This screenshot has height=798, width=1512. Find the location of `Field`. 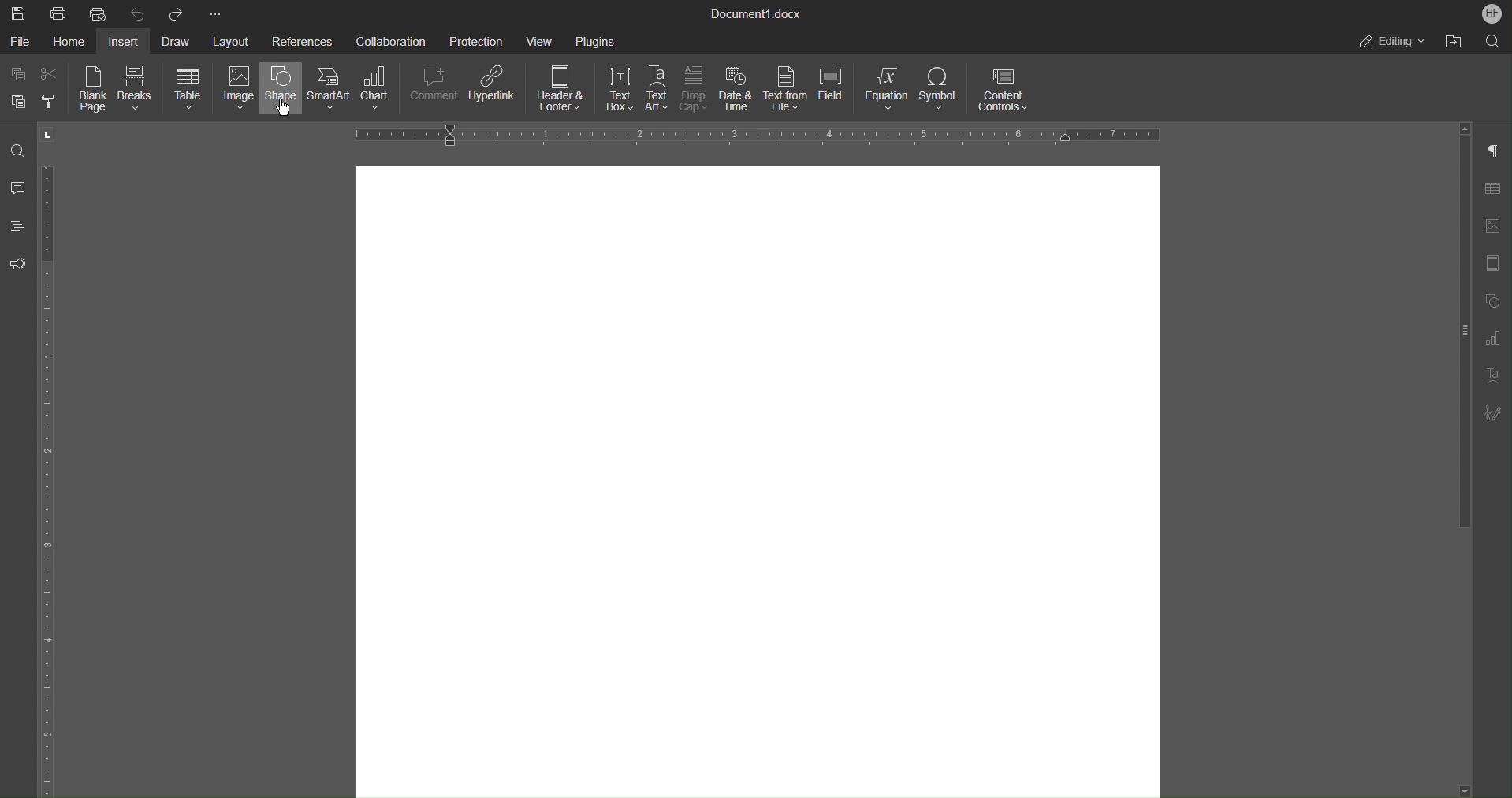

Field is located at coordinates (836, 91).